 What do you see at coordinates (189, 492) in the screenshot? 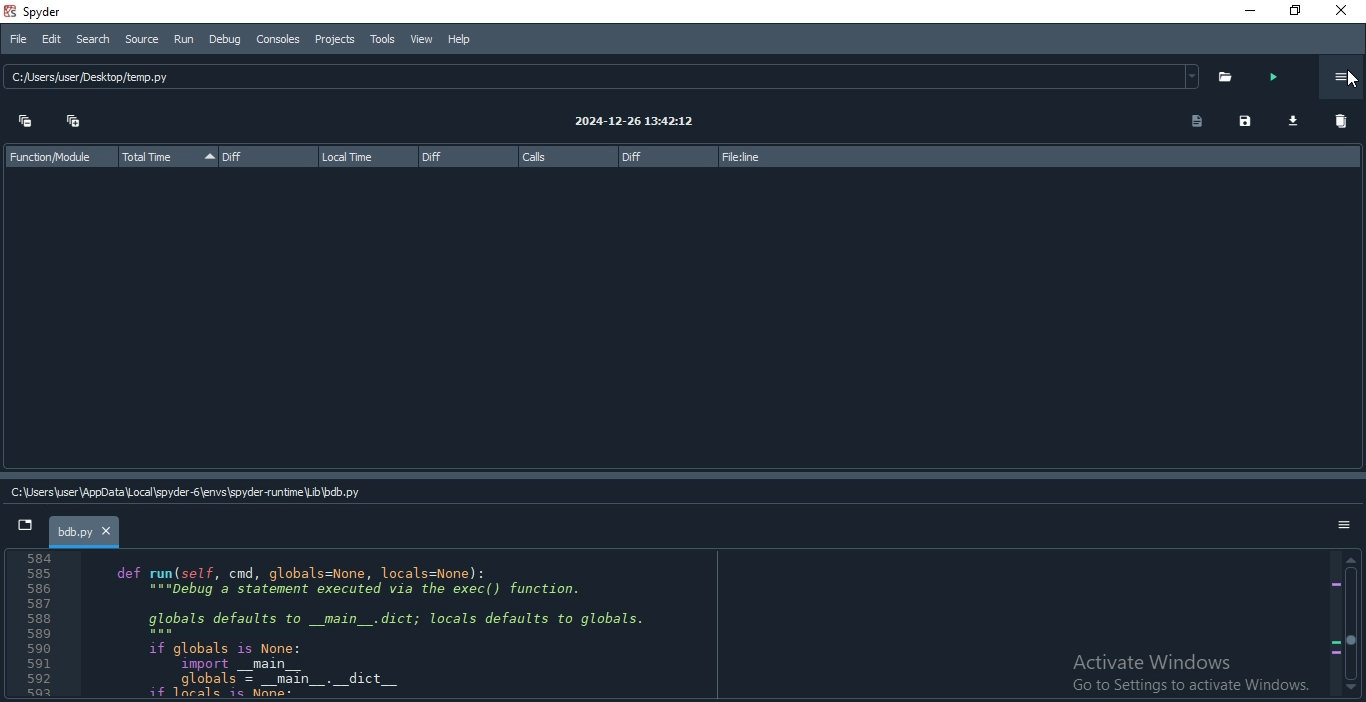
I see `C:\User\AppData\Local\spyder` at bounding box center [189, 492].